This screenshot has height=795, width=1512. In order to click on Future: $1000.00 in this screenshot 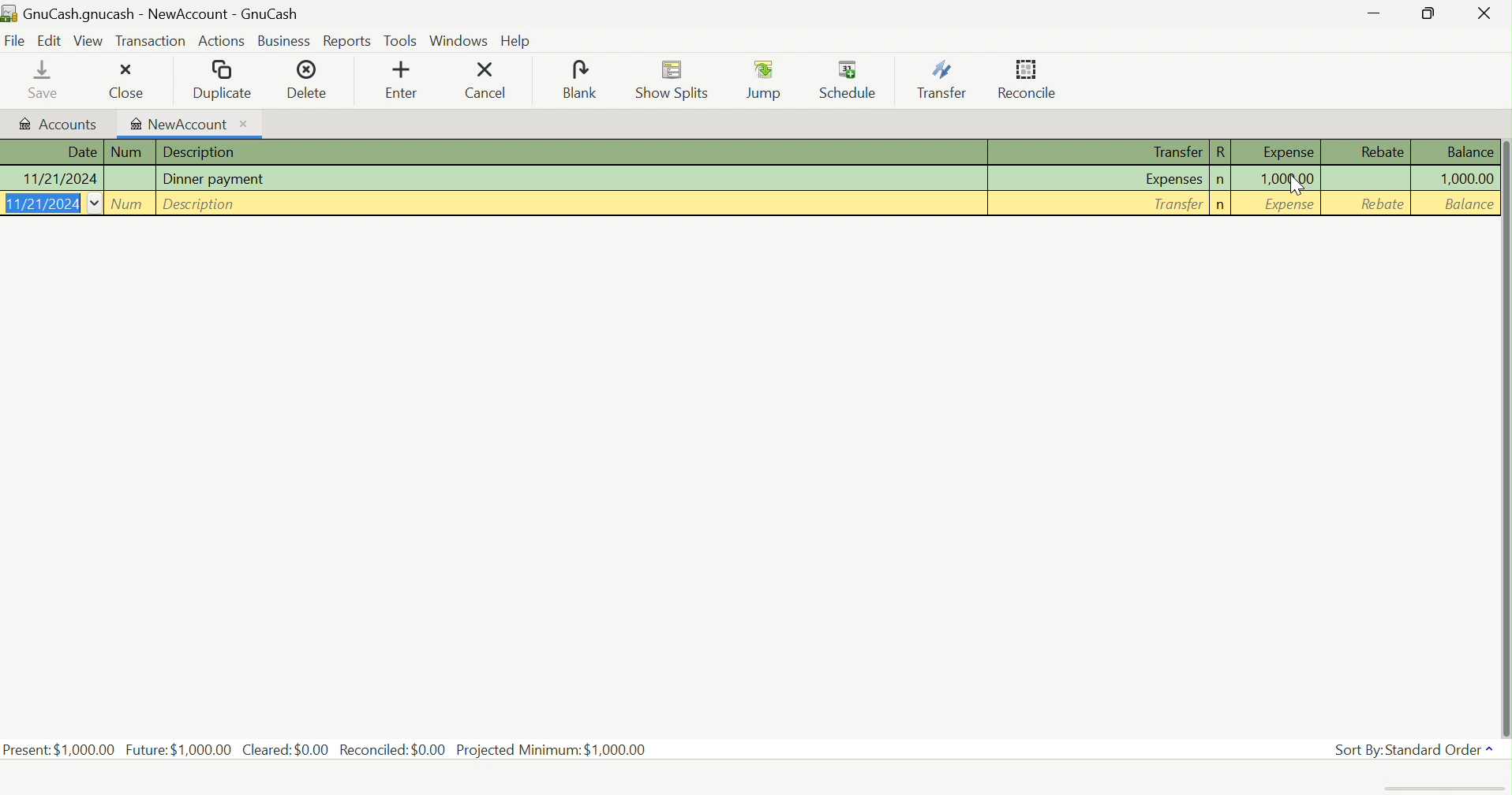, I will do `click(178, 748)`.